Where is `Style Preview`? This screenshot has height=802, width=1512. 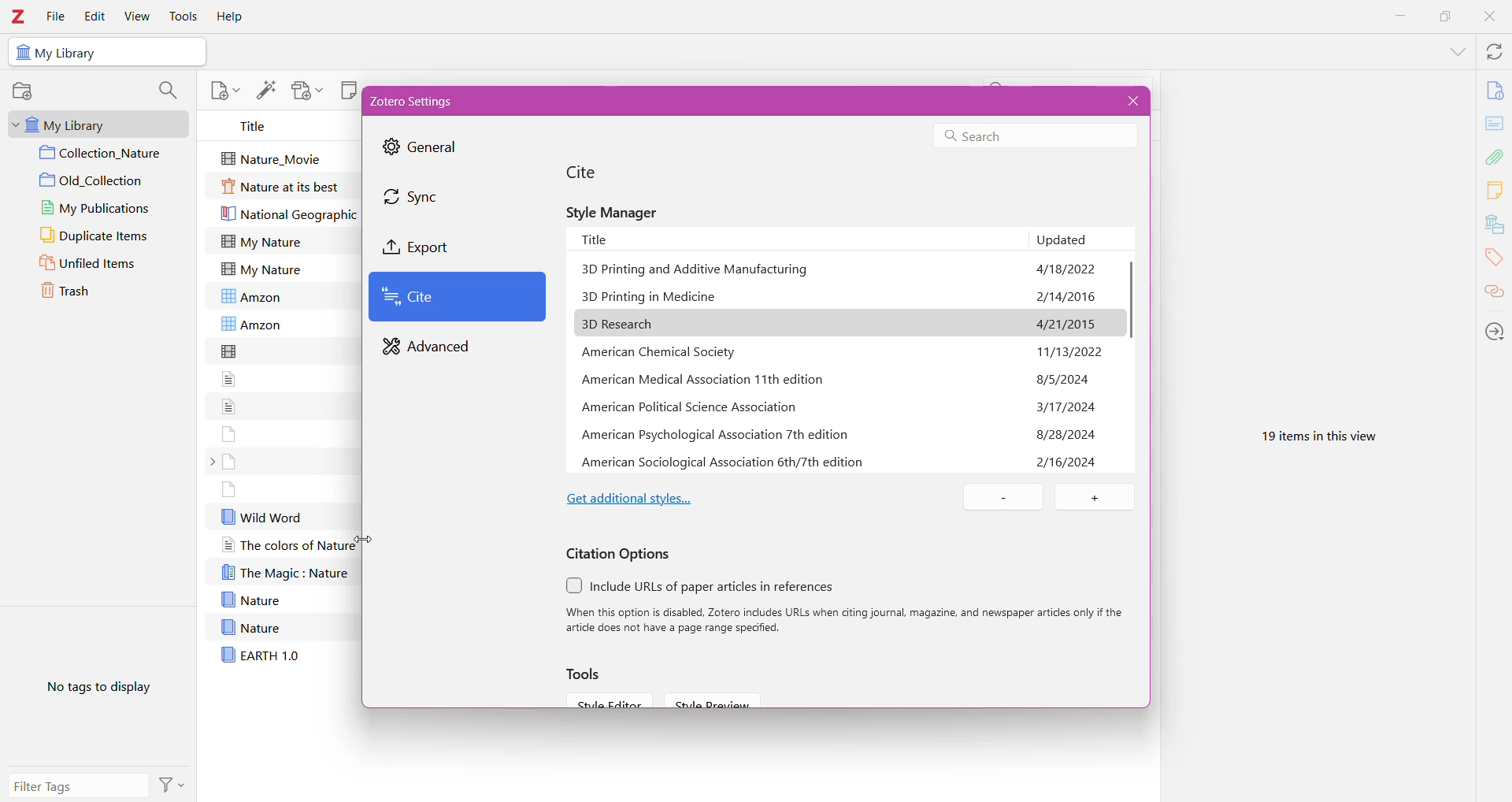
Style Preview is located at coordinates (719, 700).